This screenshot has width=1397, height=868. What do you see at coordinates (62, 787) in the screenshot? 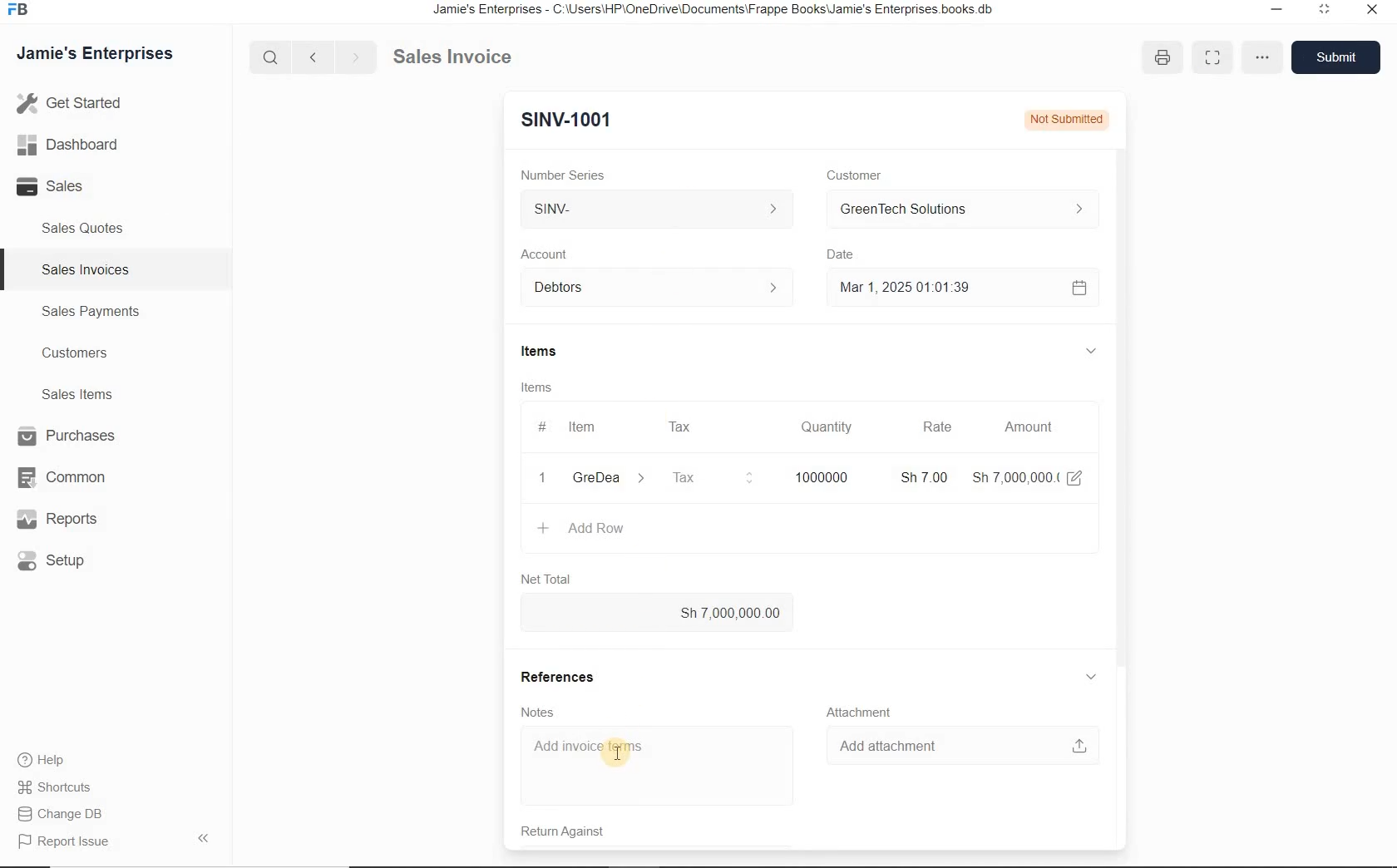
I see `Shortcuts` at bounding box center [62, 787].